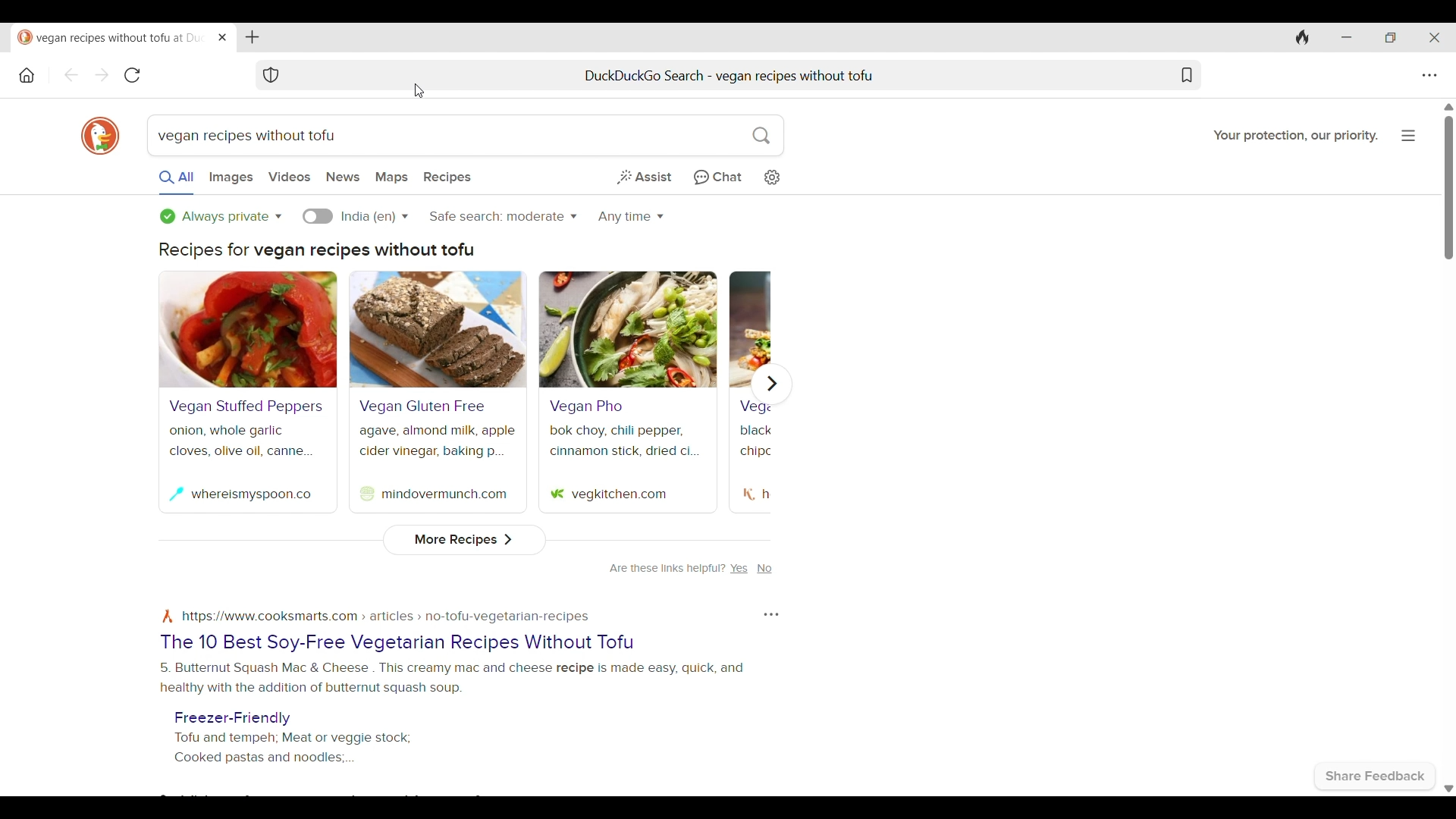 The image size is (1456, 819). What do you see at coordinates (1186, 75) in the screenshot?
I see `Bookmark current page` at bounding box center [1186, 75].